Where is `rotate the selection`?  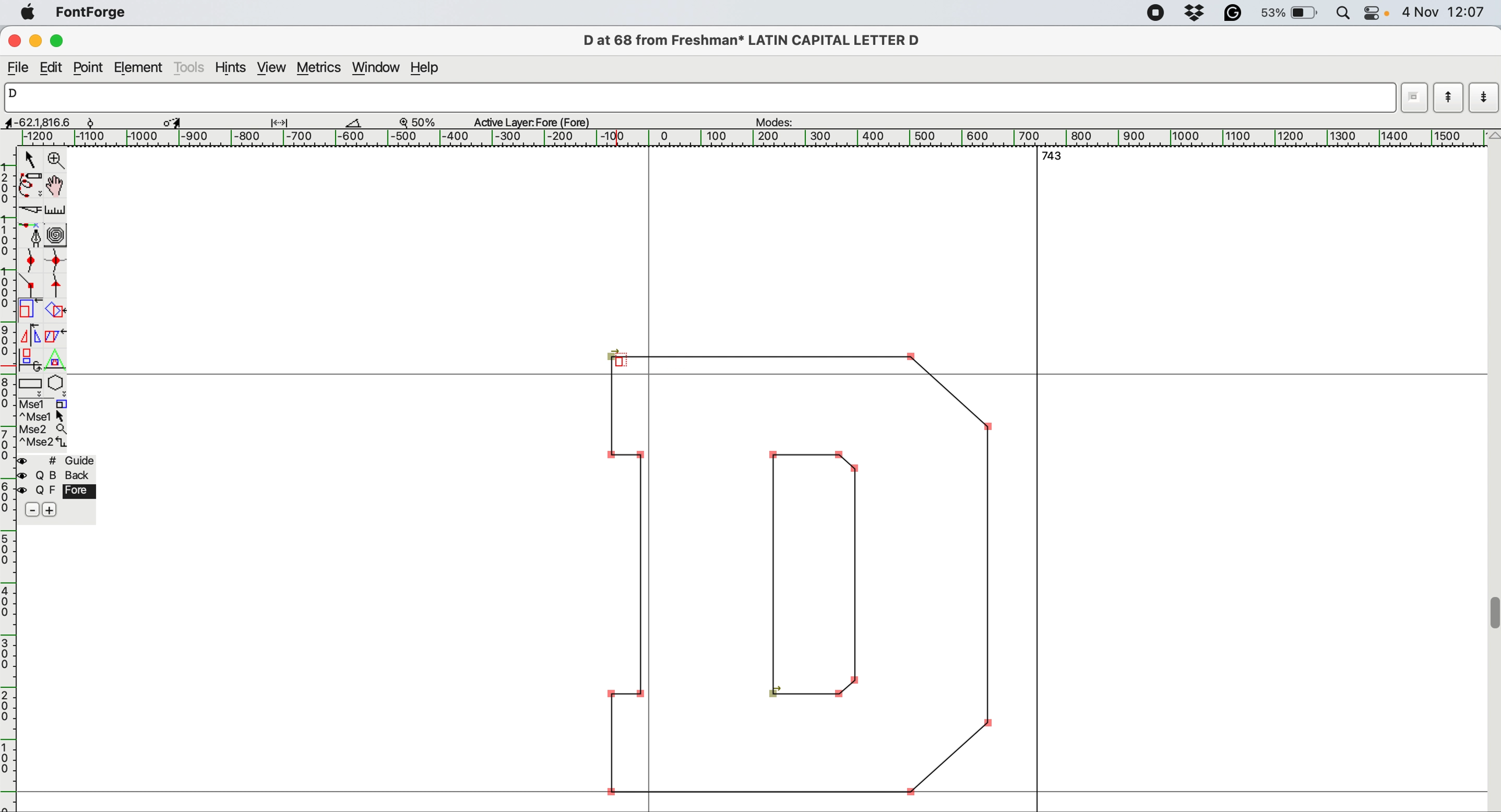 rotate the selection is located at coordinates (54, 312).